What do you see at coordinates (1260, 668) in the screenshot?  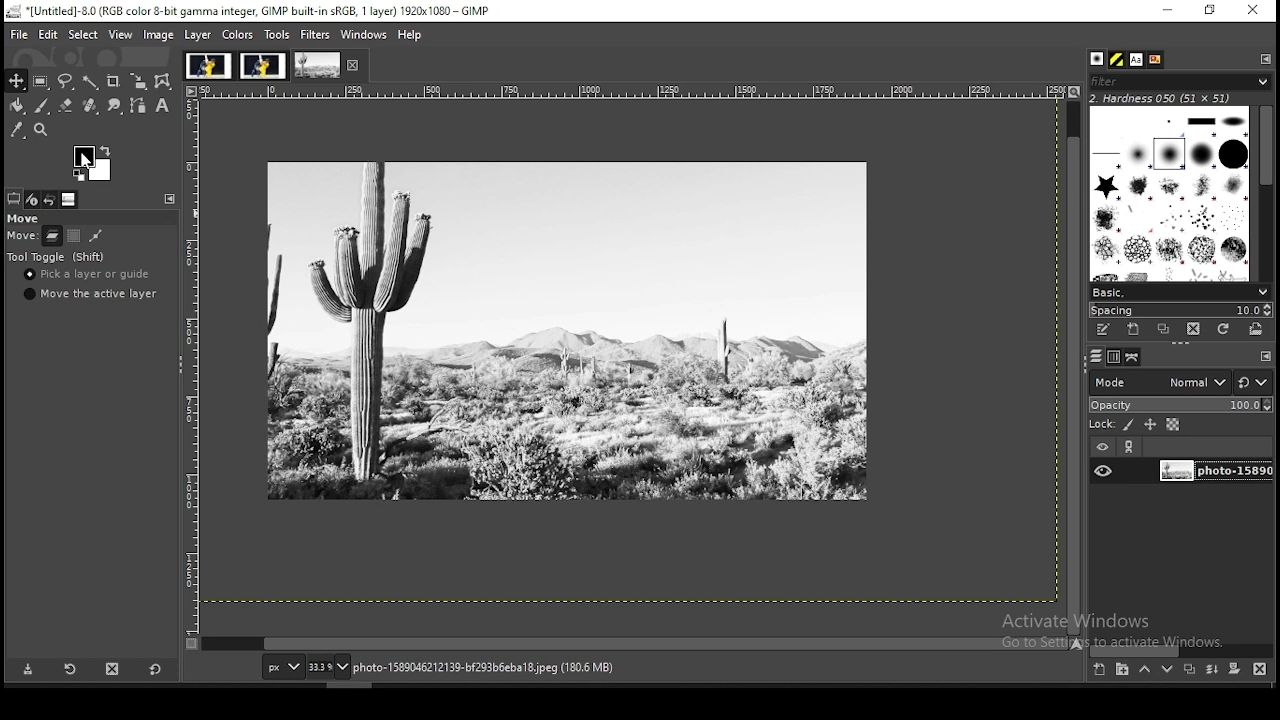 I see `delete this layer` at bounding box center [1260, 668].